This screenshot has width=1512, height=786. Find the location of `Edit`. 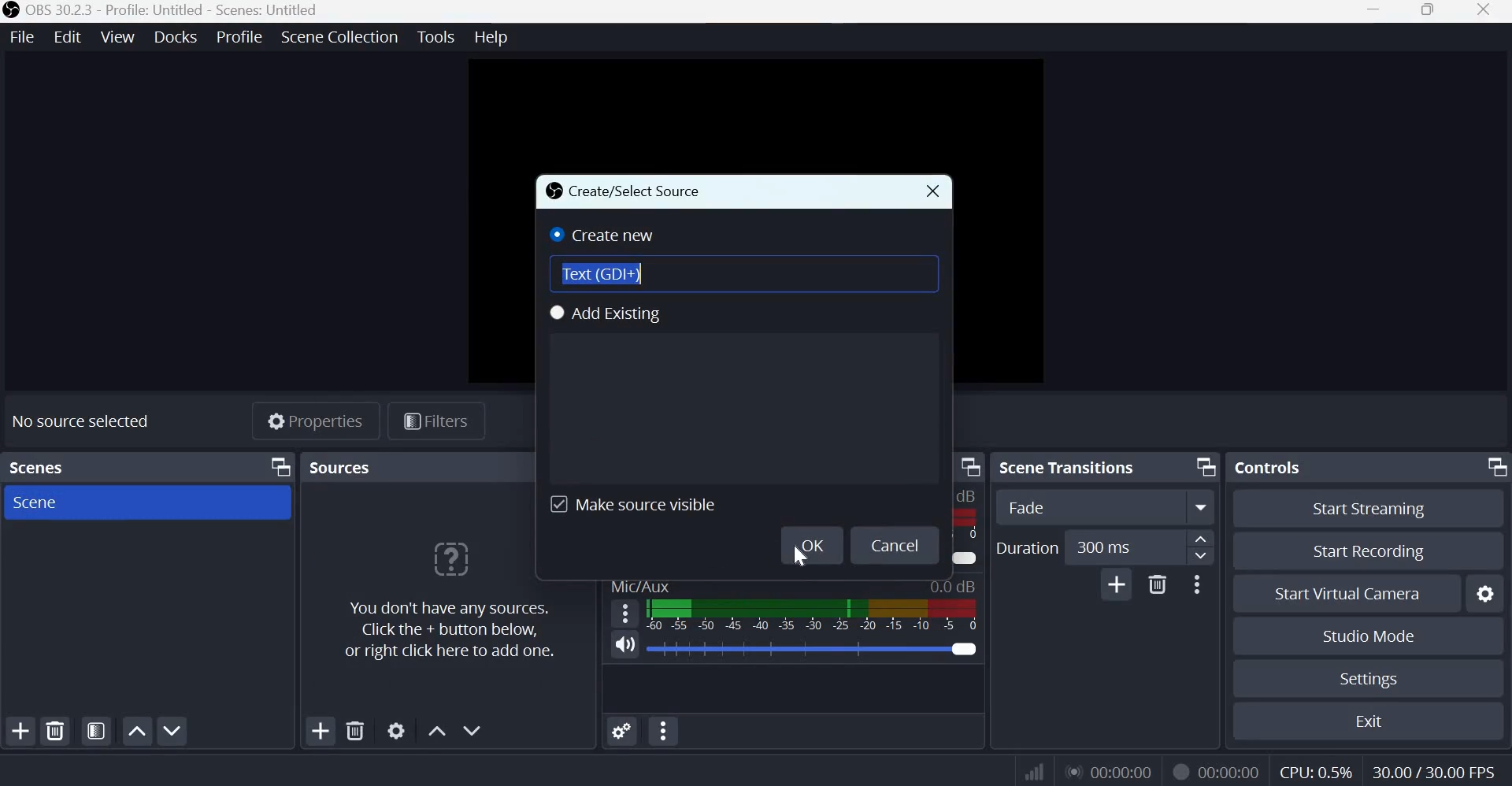

Edit is located at coordinates (69, 37).